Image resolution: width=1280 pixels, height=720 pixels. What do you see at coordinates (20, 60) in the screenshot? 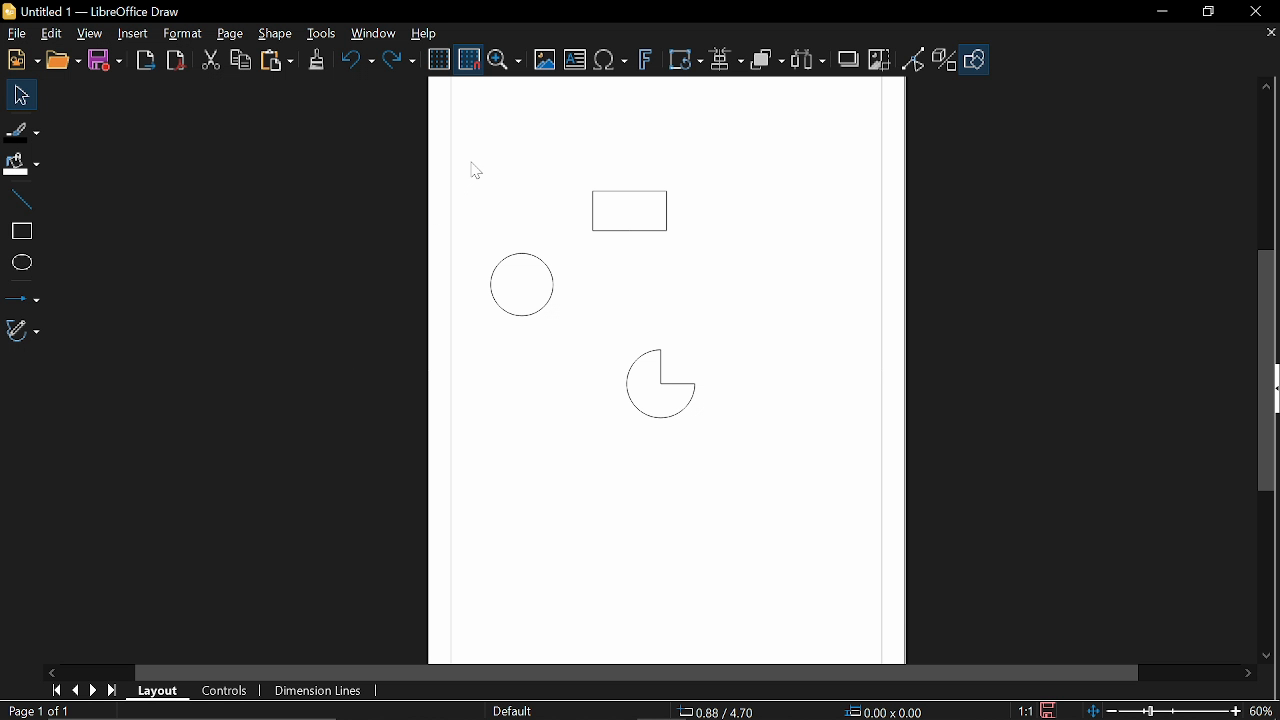
I see `New` at bounding box center [20, 60].